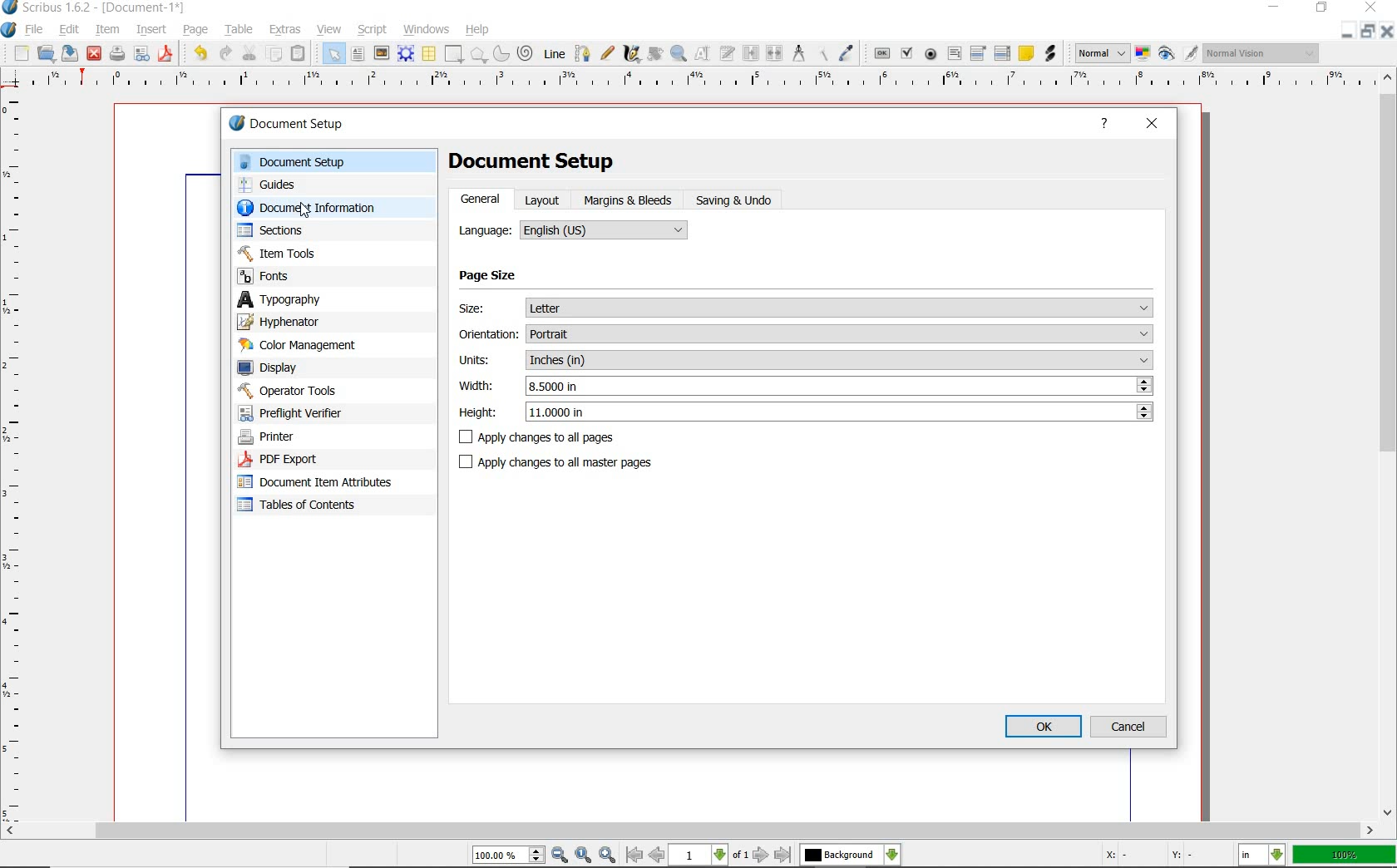 The width and height of the screenshot is (1397, 868). I want to click on link annotation, so click(1049, 54).